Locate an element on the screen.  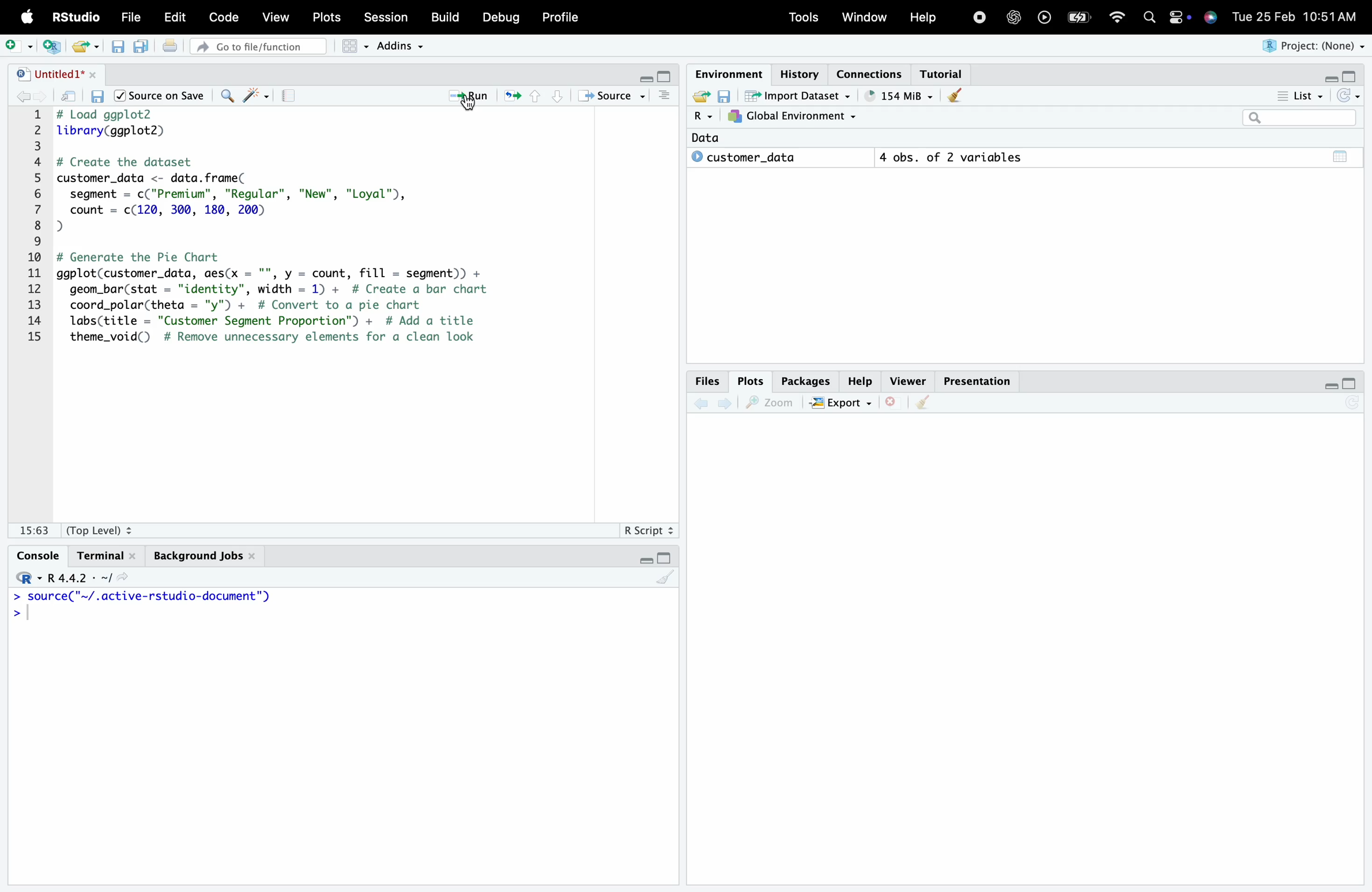
cursor is located at coordinates (472, 104).